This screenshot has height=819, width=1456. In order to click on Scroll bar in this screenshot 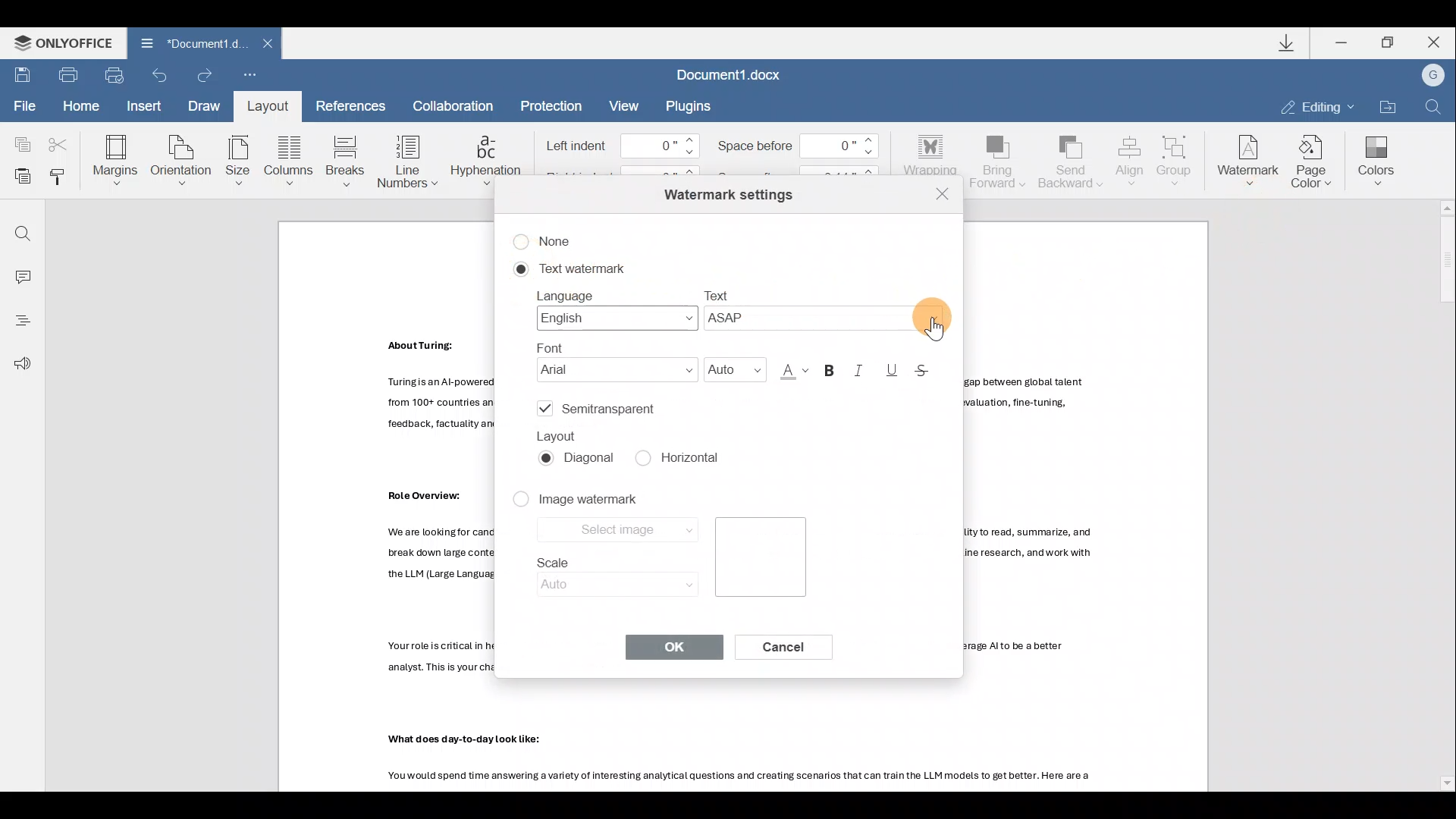, I will do `click(1441, 494)`.